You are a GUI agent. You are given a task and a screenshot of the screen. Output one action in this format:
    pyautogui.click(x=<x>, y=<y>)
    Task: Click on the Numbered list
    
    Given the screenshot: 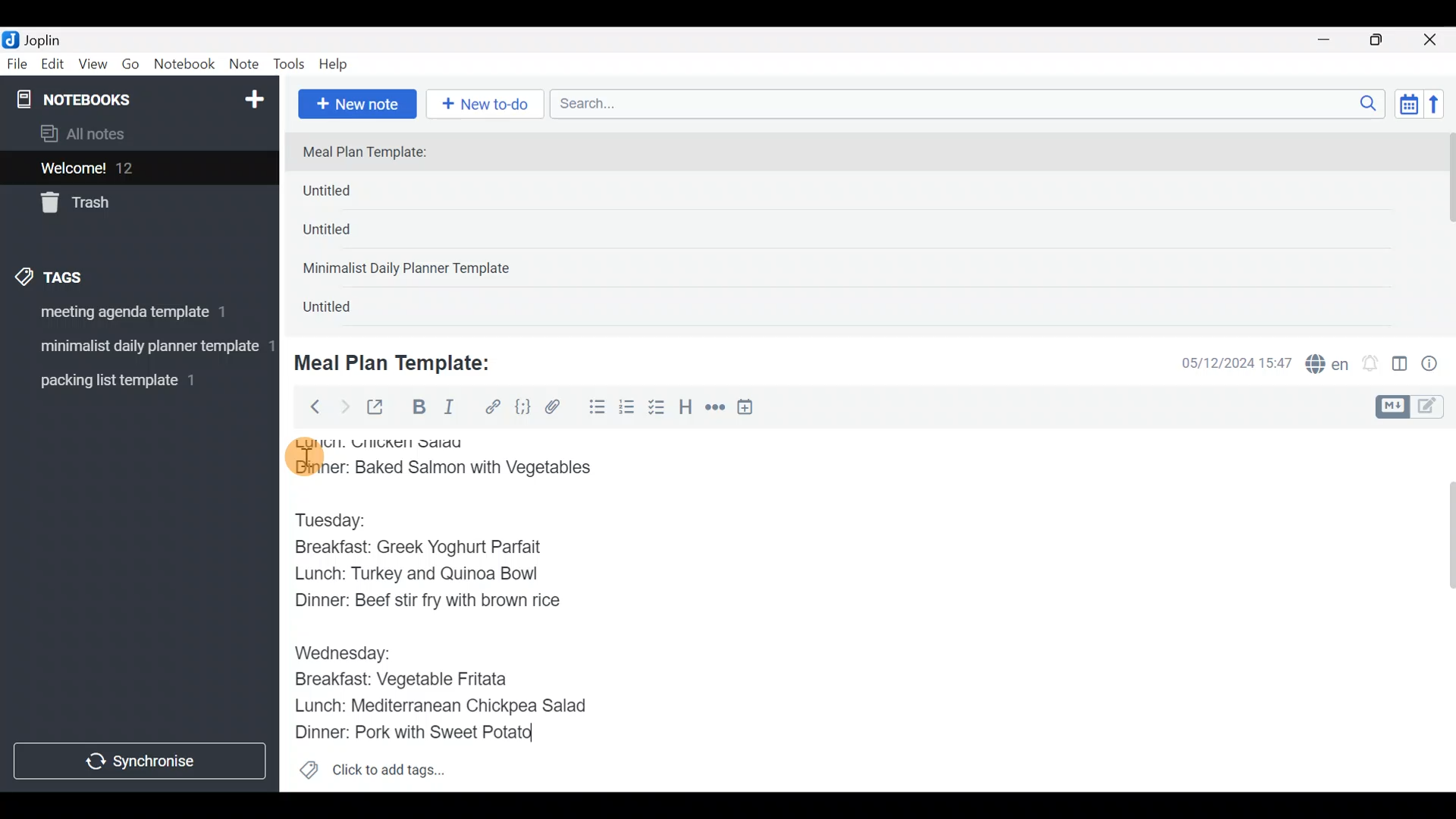 What is the action you would take?
    pyautogui.click(x=627, y=410)
    